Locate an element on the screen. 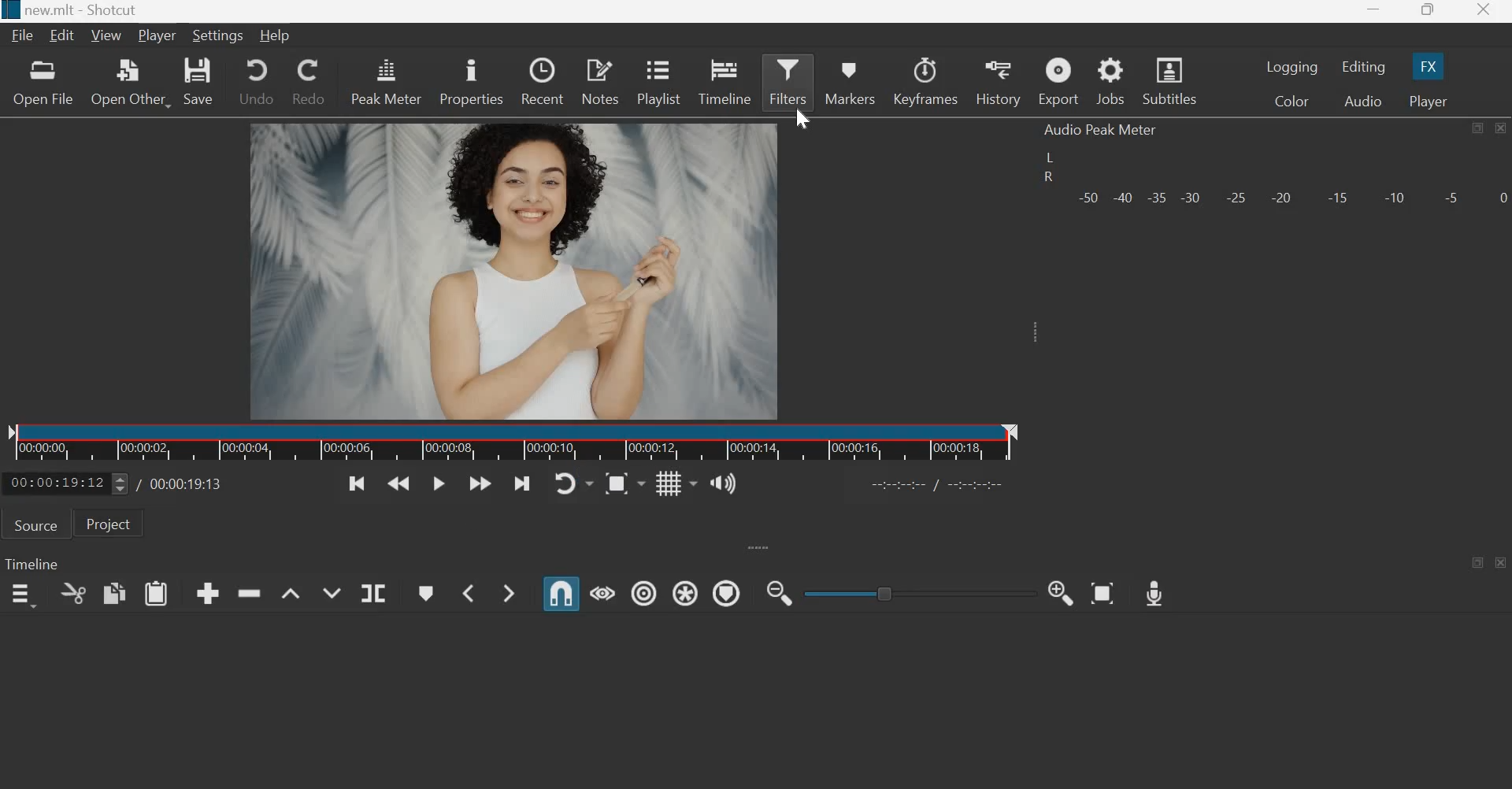 This screenshot has width=1512, height=789. FX is located at coordinates (1426, 66).